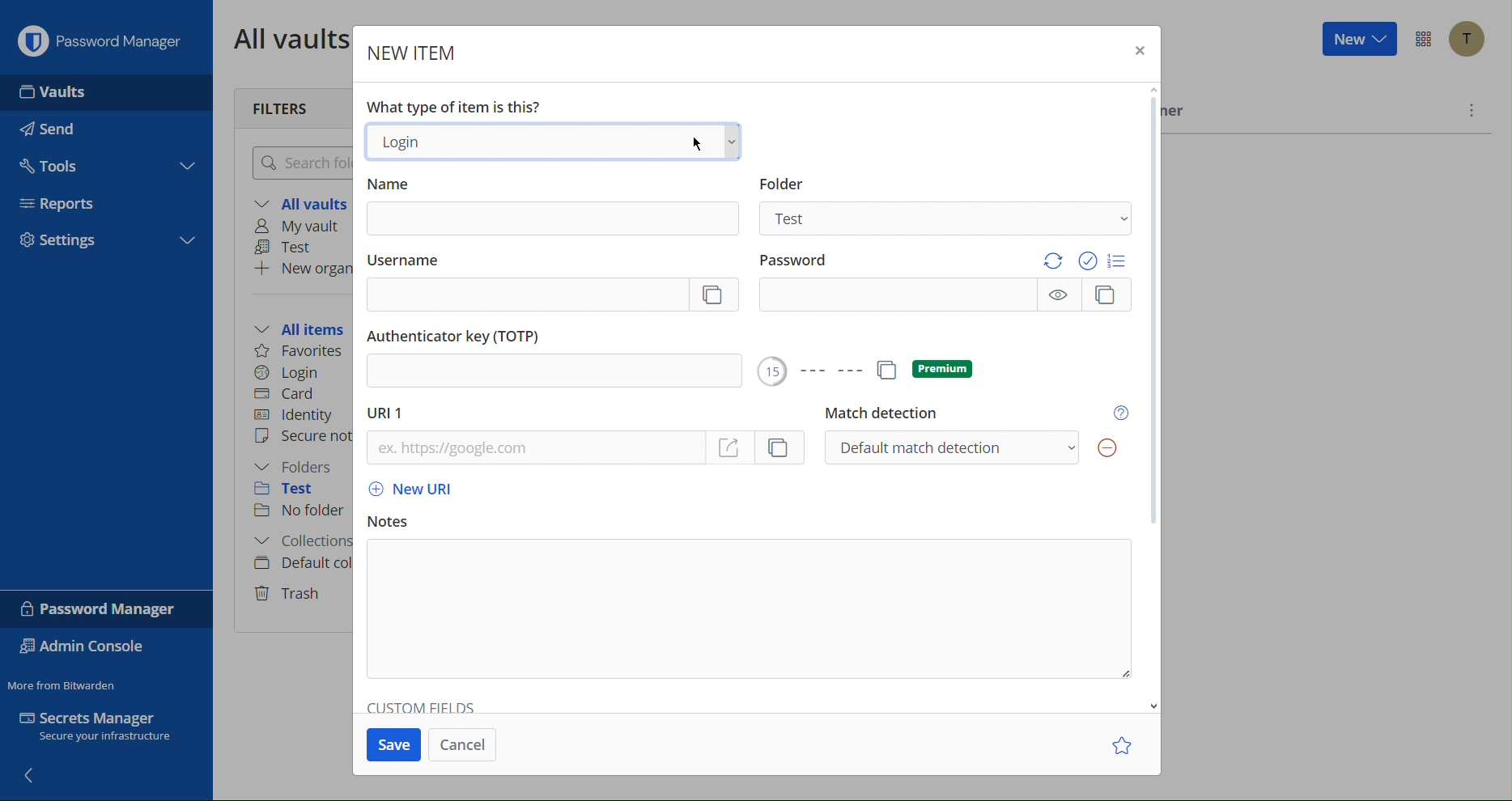 The image size is (1512, 801). I want to click on Vaults, so click(57, 89).